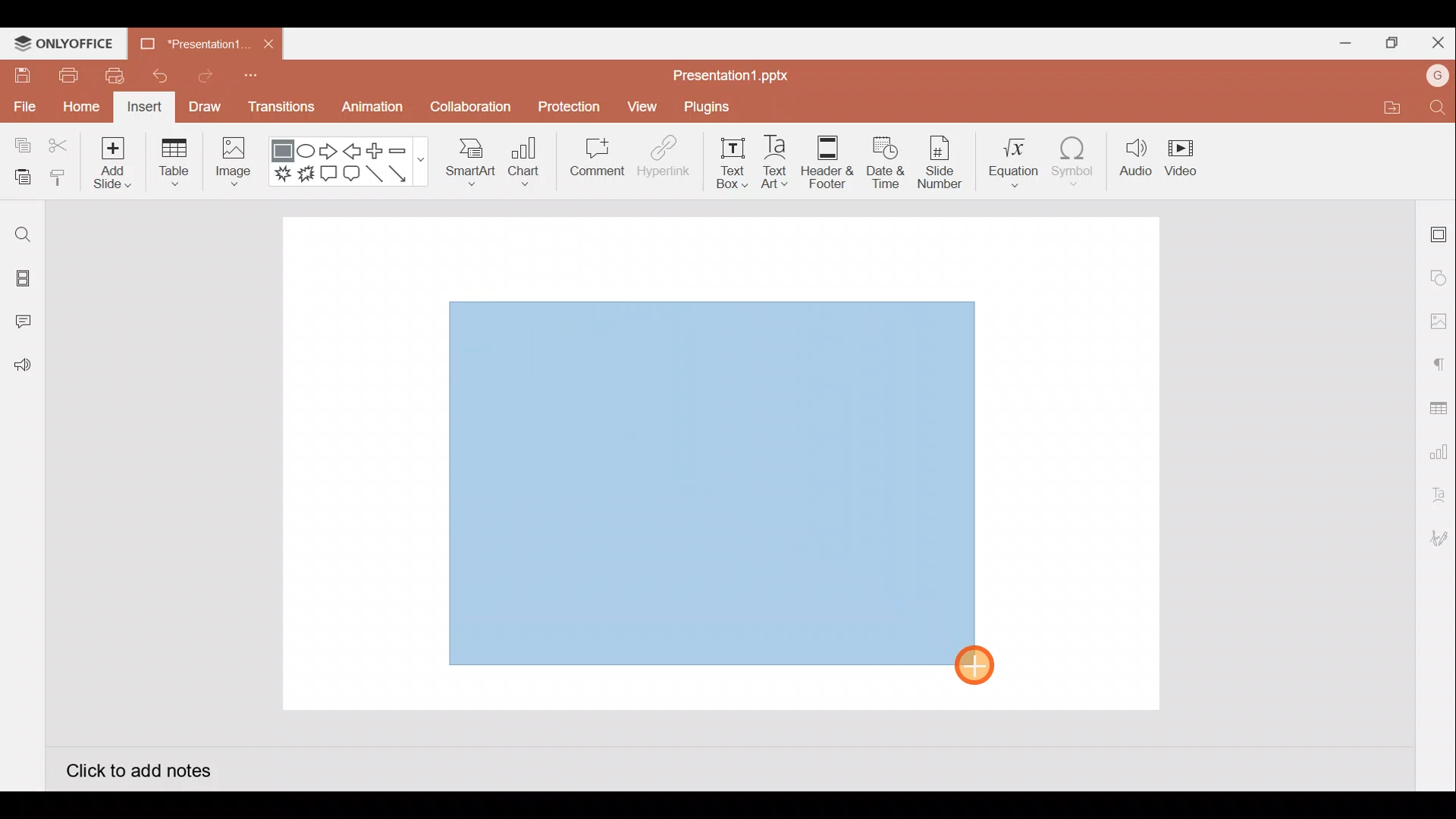 Image resolution: width=1456 pixels, height=819 pixels. Describe the element at coordinates (110, 76) in the screenshot. I see `Quick print` at that location.